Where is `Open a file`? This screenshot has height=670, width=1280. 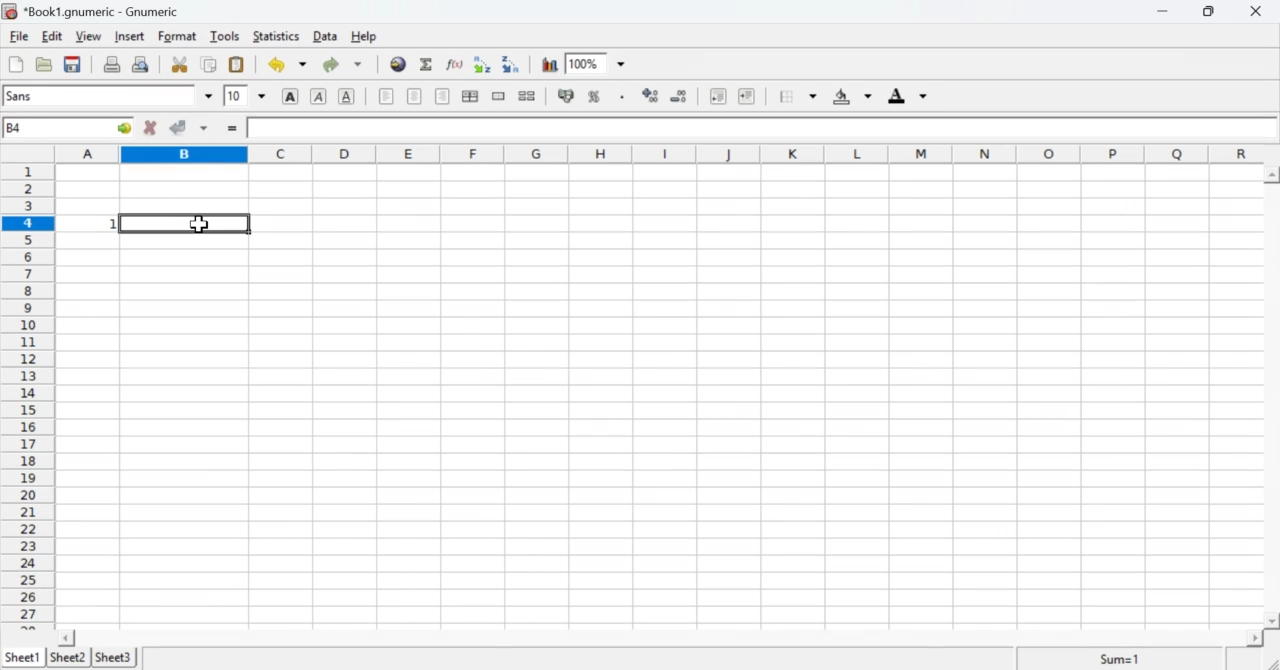 Open a file is located at coordinates (46, 65).